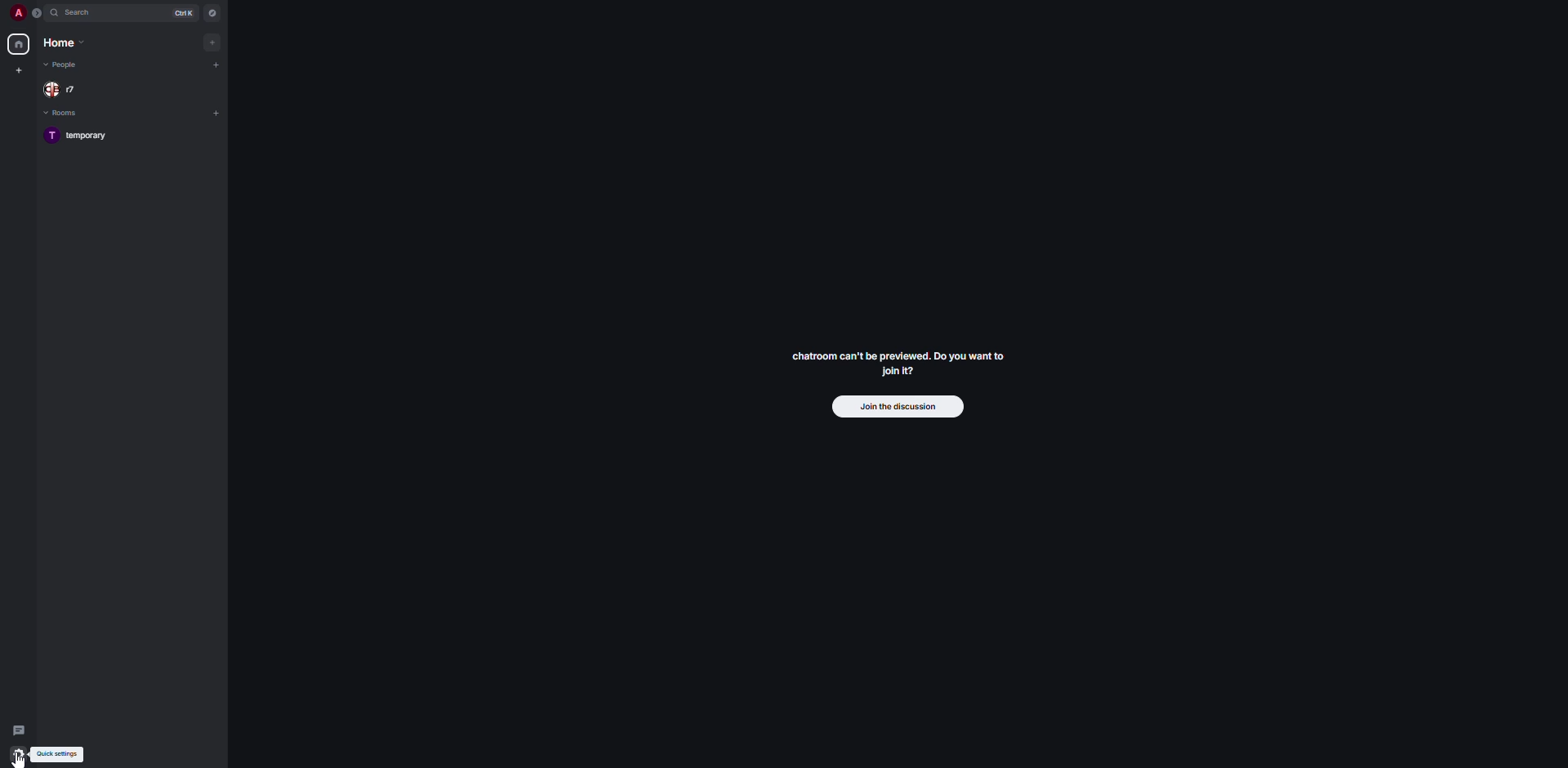 The height and width of the screenshot is (768, 1568). Describe the element at coordinates (216, 111) in the screenshot. I see `add` at that location.